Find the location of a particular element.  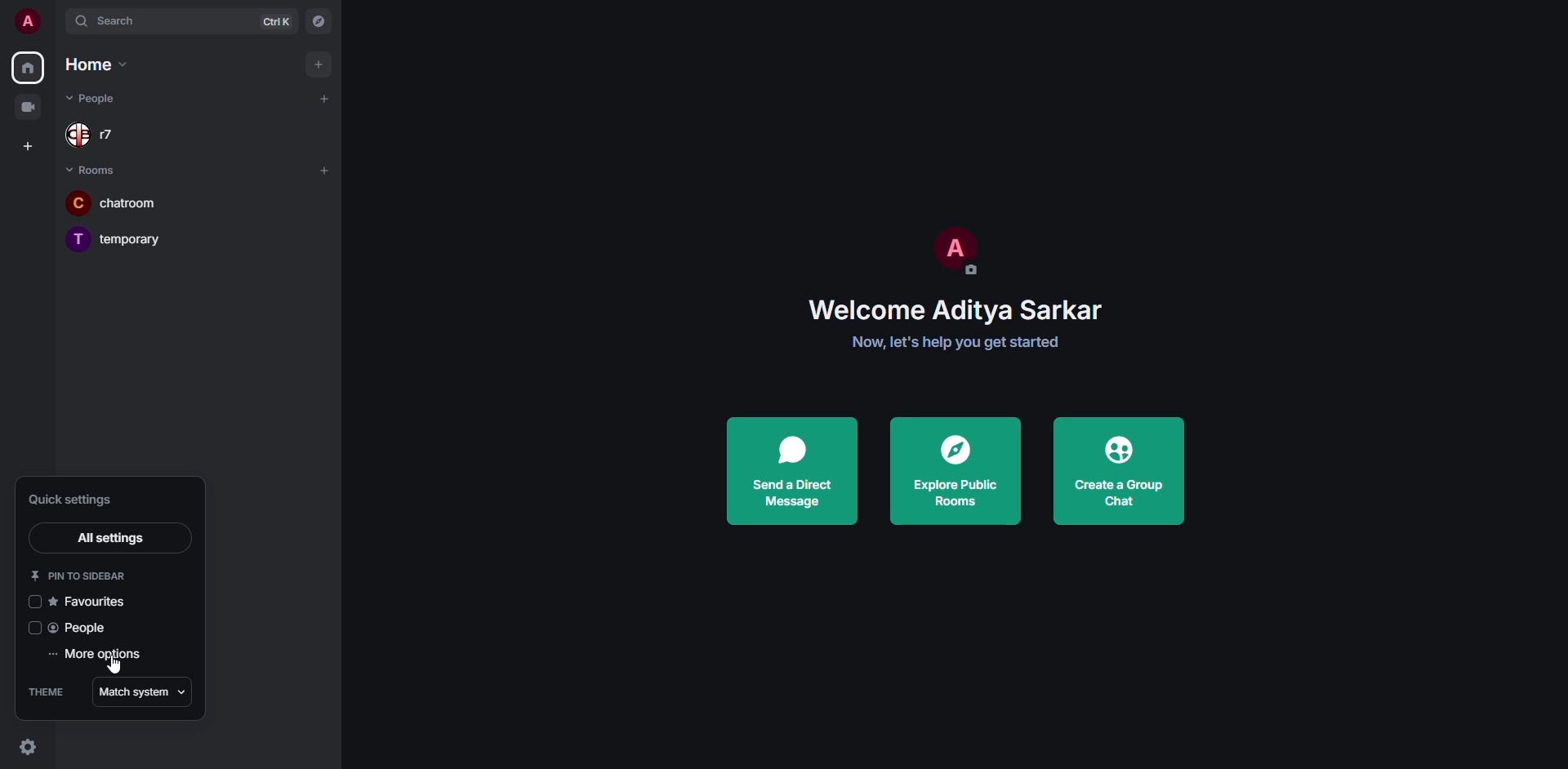

people is located at coordinates (85, 627).